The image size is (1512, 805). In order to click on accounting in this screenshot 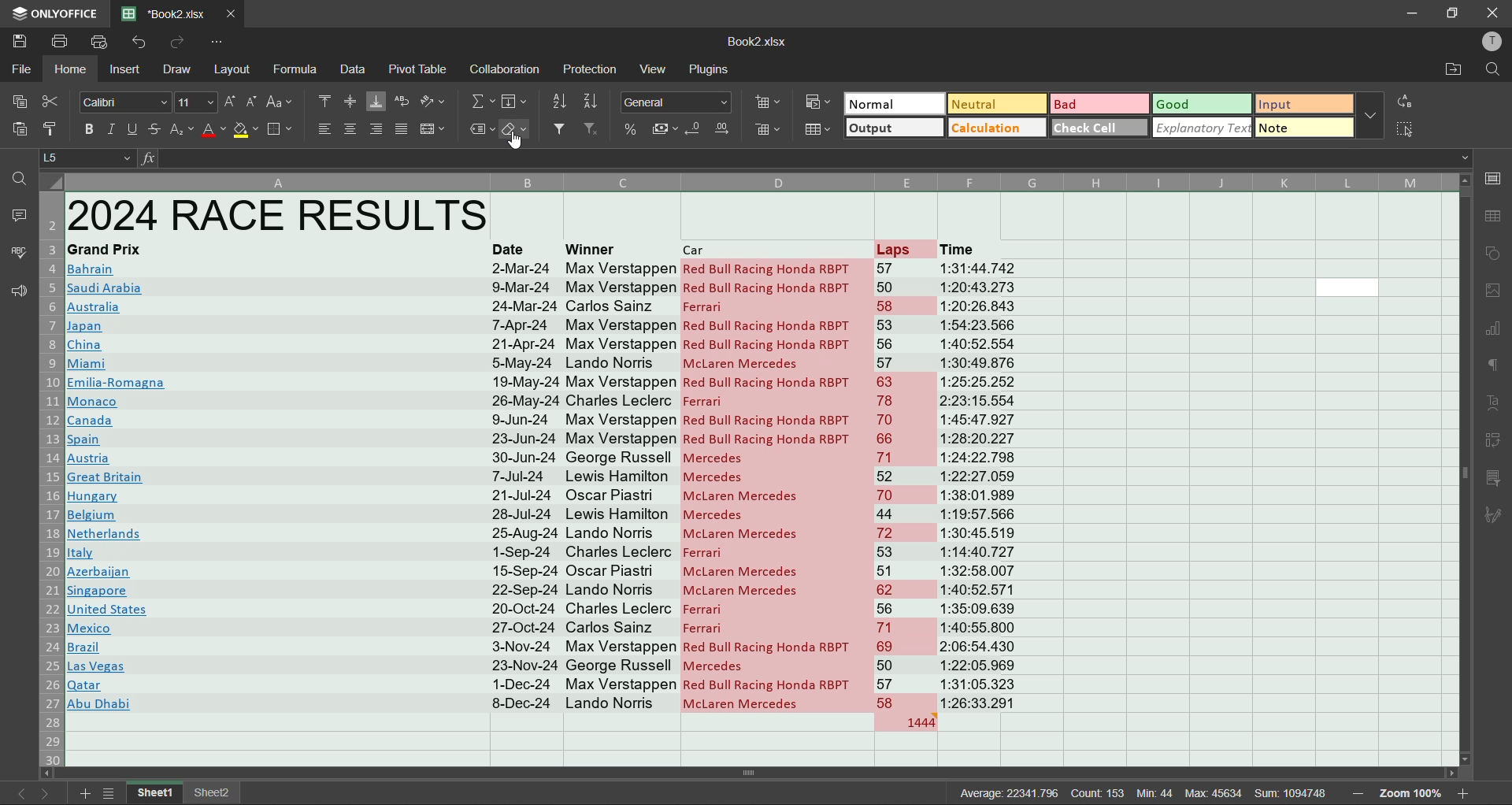, I will do `click(666, 129)`.